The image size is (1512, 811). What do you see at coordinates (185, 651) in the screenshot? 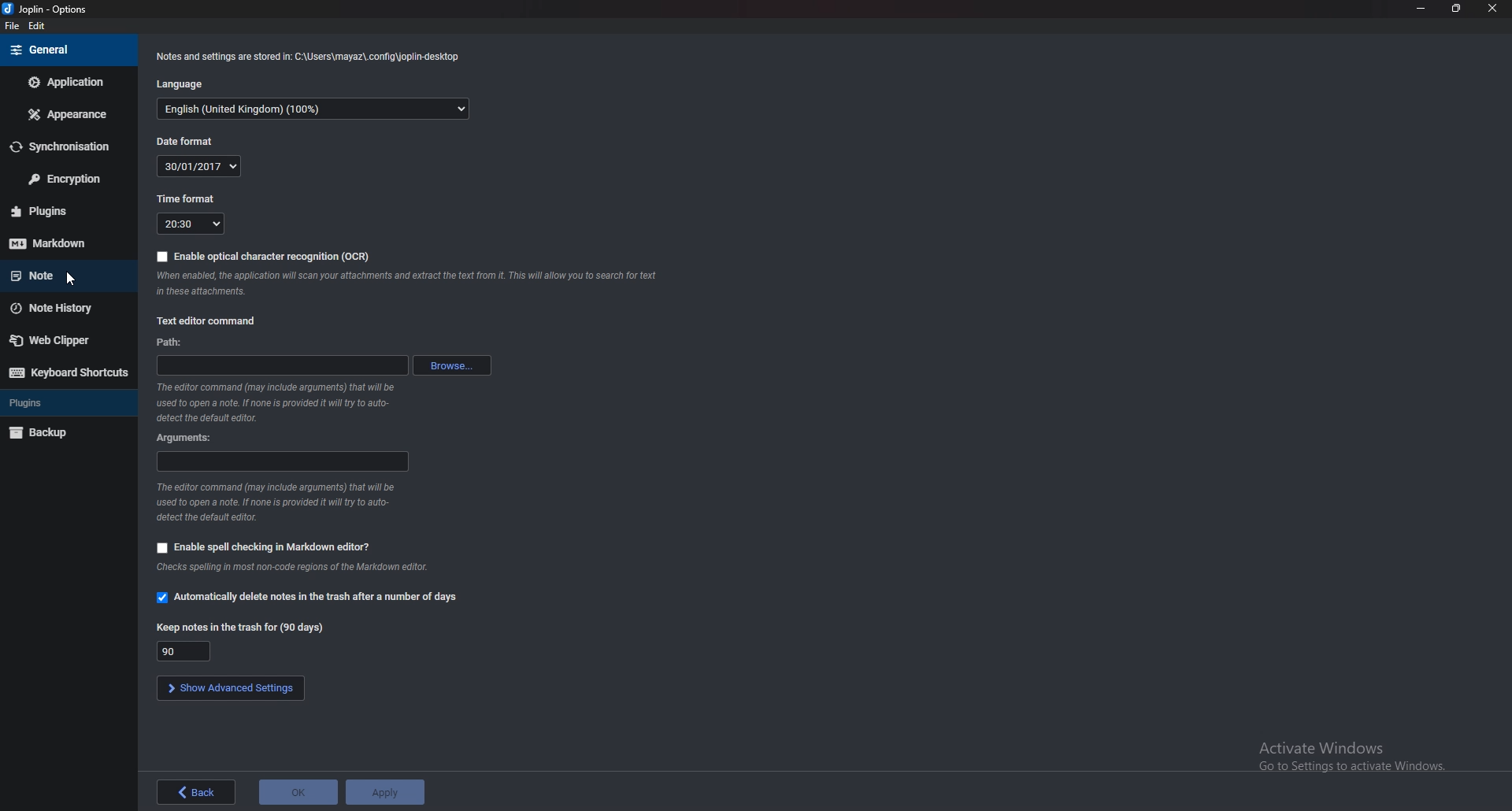
I see `keep notes in the trash for` at bounding box center [185, 651].